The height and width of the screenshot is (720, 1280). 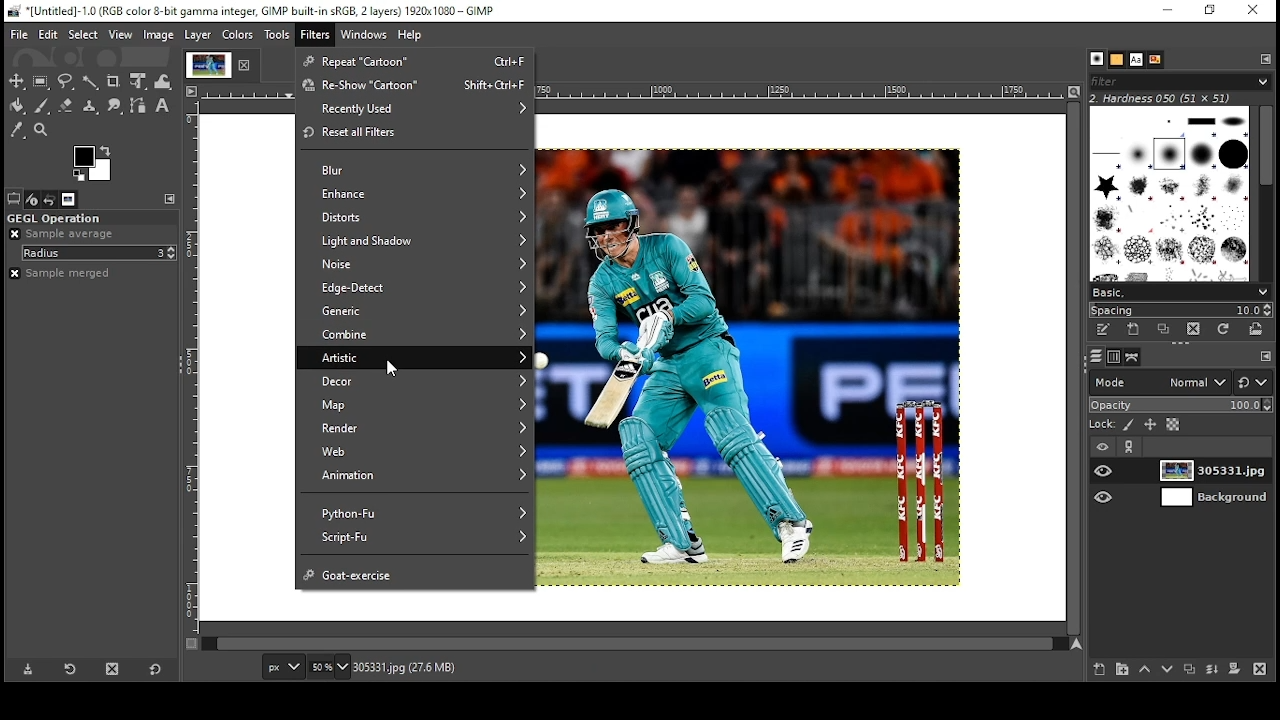 What do you see at coordinates (1115, 358) in the screenshot?
I see `channels` at bounding box center [1115, 358].